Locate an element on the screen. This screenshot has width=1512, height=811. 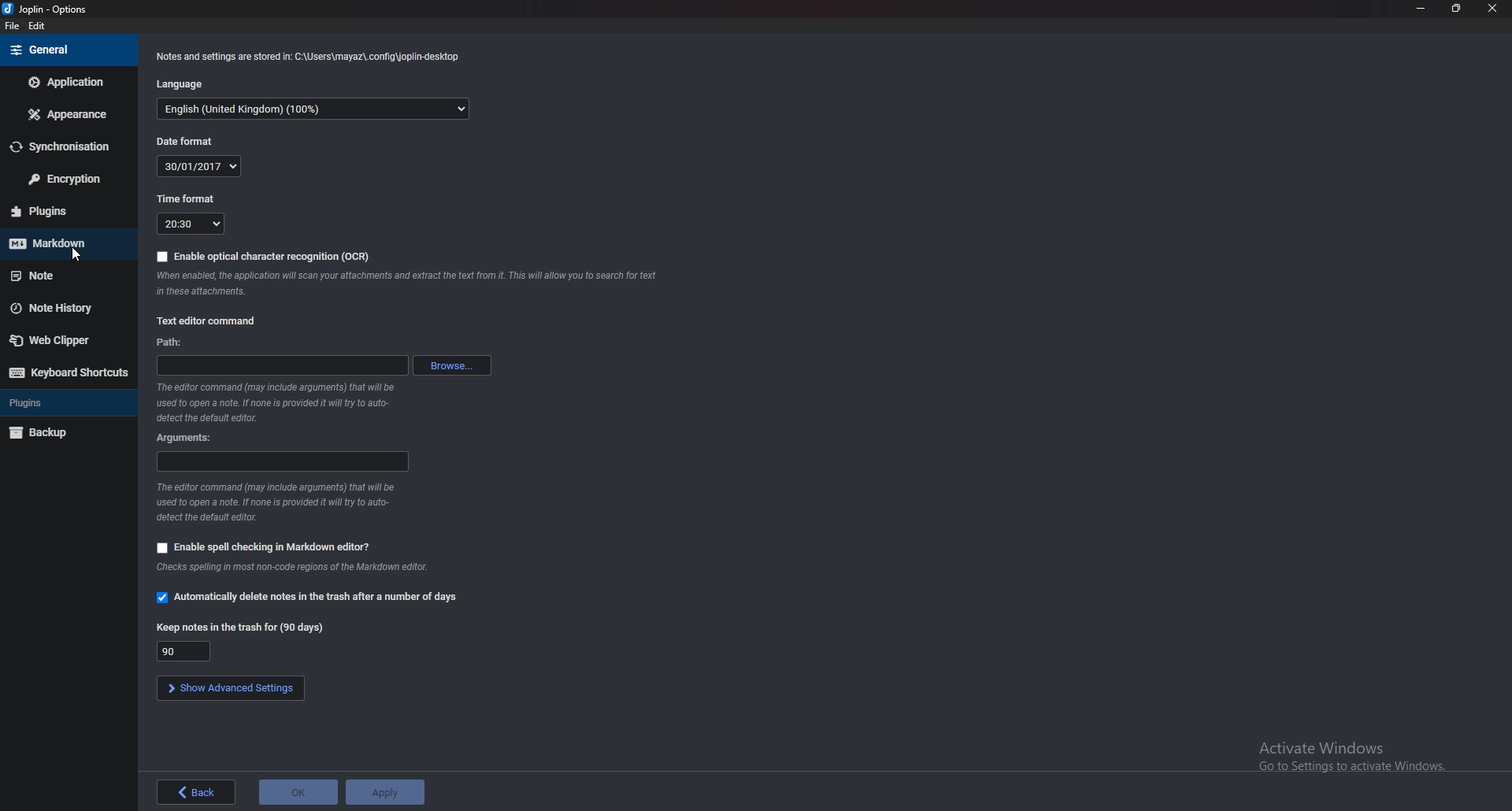
Resize is located at coordinates (1456, 9).